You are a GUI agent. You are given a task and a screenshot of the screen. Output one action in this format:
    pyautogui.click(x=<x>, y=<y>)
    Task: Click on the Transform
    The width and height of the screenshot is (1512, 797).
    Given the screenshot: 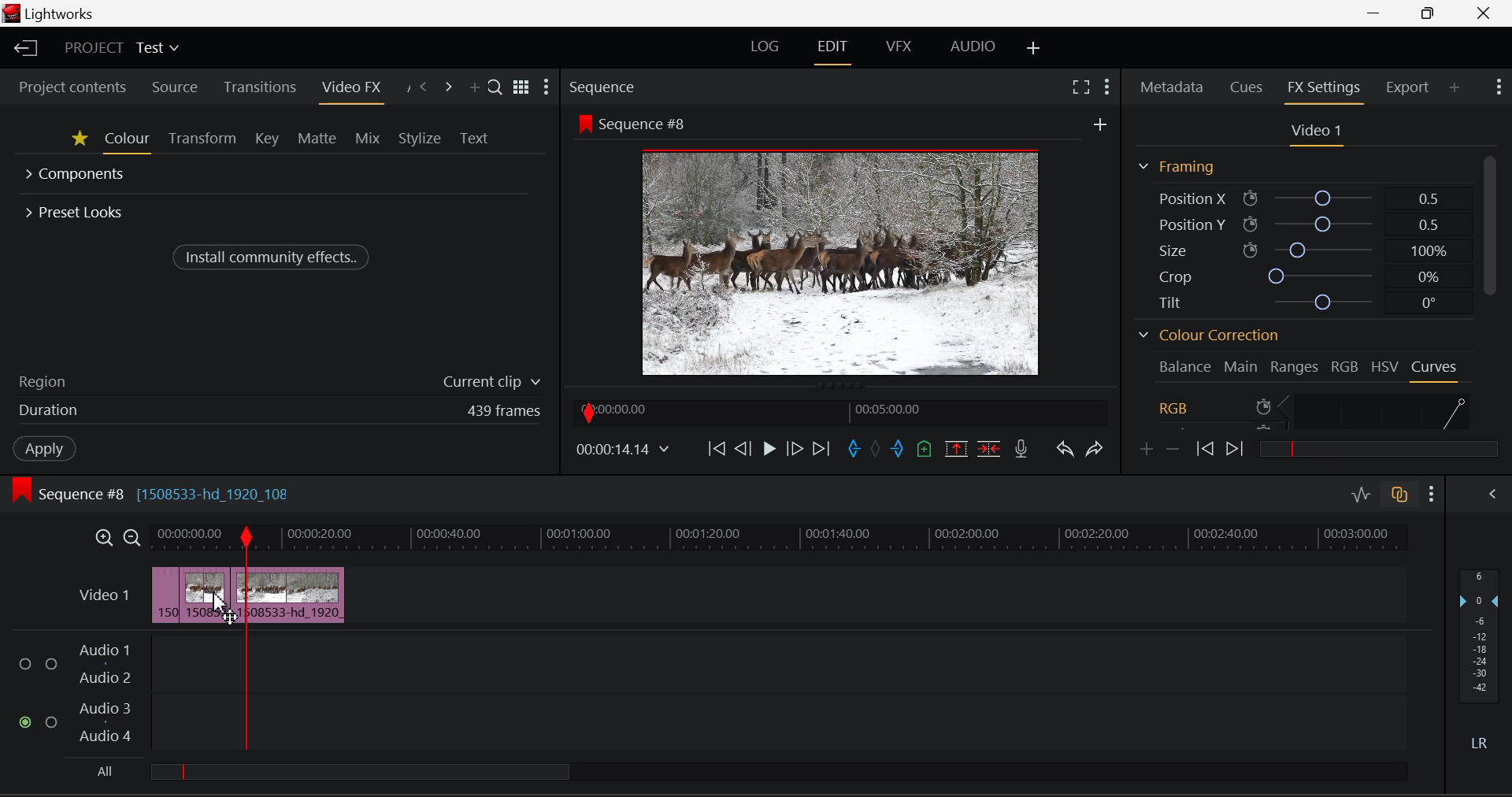 What is the action you would take?
    pyautogui.click(x=200, y=140)
    